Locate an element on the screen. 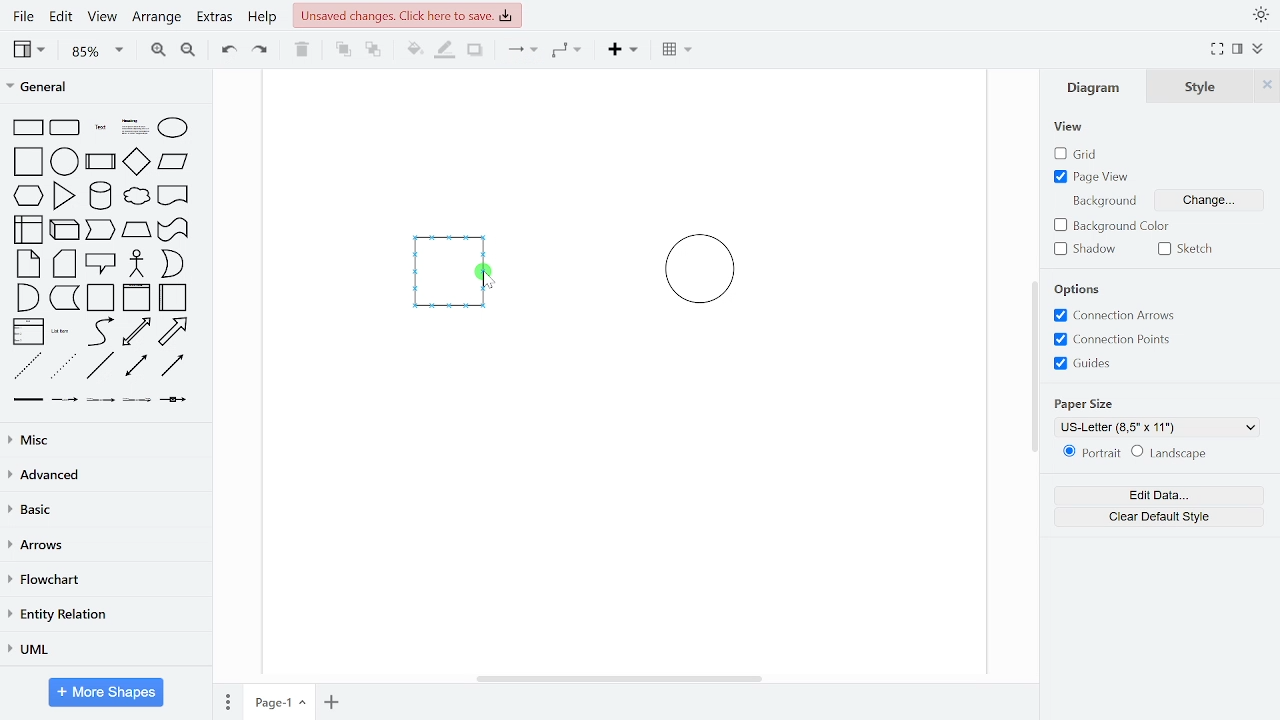 The height and width of the screenshot is (720, 1280). rounded rectangle is located at coordinates (66, 129).